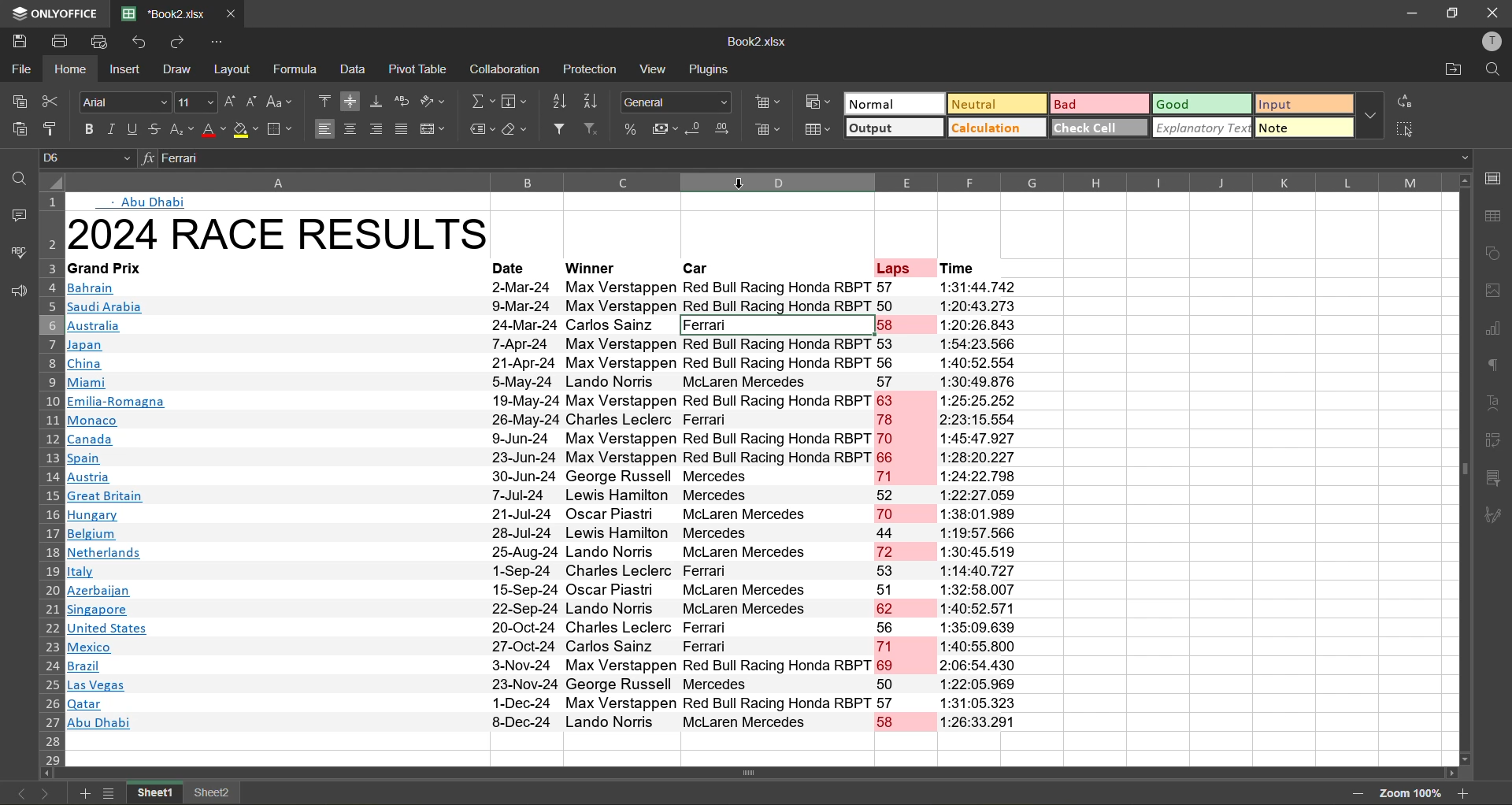 This screenshot has width=1512, height=805. What do you see at coordinates (547, 495) in the screenshot?
I see `| Great Britain 7-Jul-24 Lewis Hamilton Mercedes 52 1:22:27.059` at bounding box center [547, 495].